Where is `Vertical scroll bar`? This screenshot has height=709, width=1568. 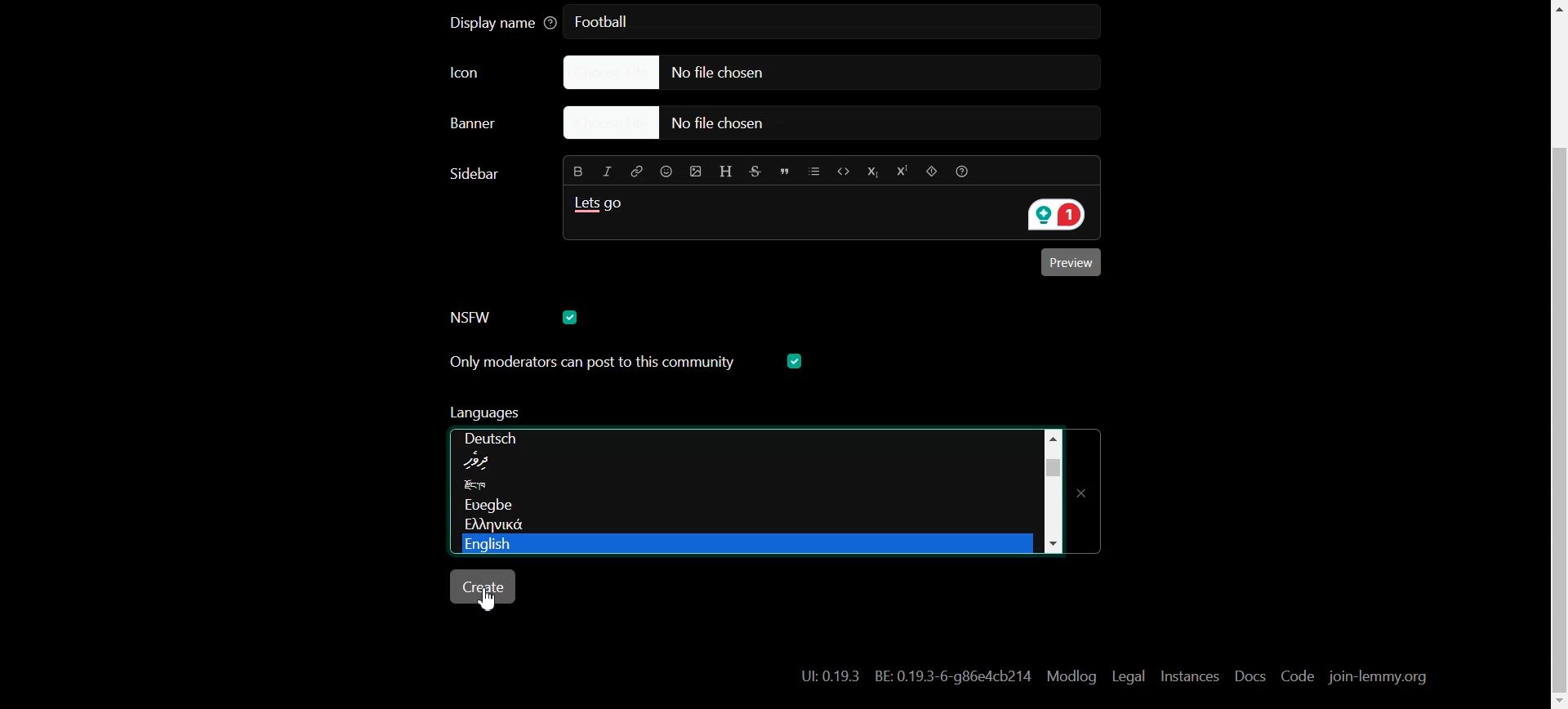 Vertical scroll bar is located at coordinates (1052, 488).